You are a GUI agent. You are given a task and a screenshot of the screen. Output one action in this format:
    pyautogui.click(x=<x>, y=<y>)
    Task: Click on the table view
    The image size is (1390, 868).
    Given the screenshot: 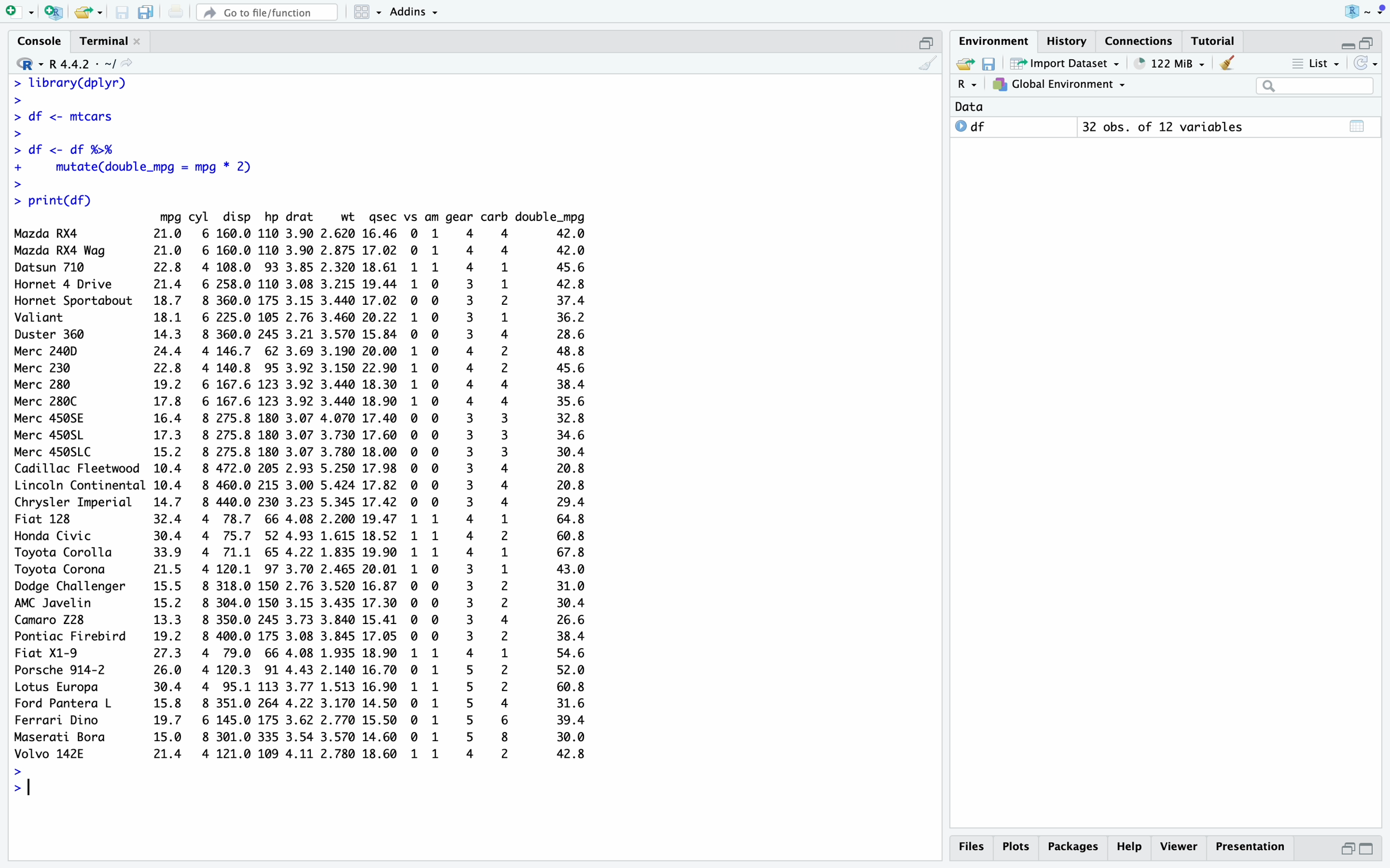 What is the action you would take?
    pyautogui.click(x=1358, y=126)
    